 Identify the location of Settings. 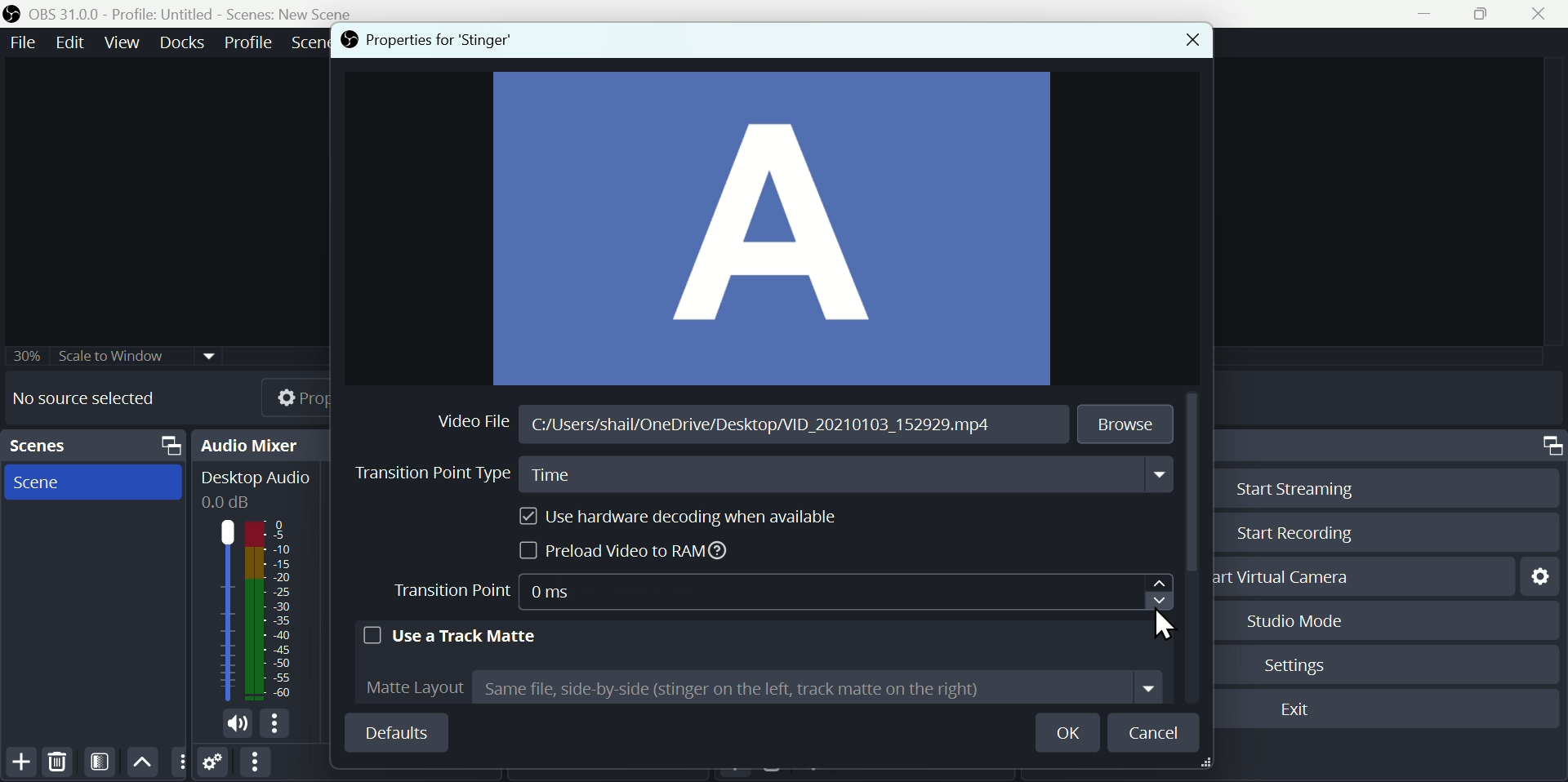
(1539, 575).